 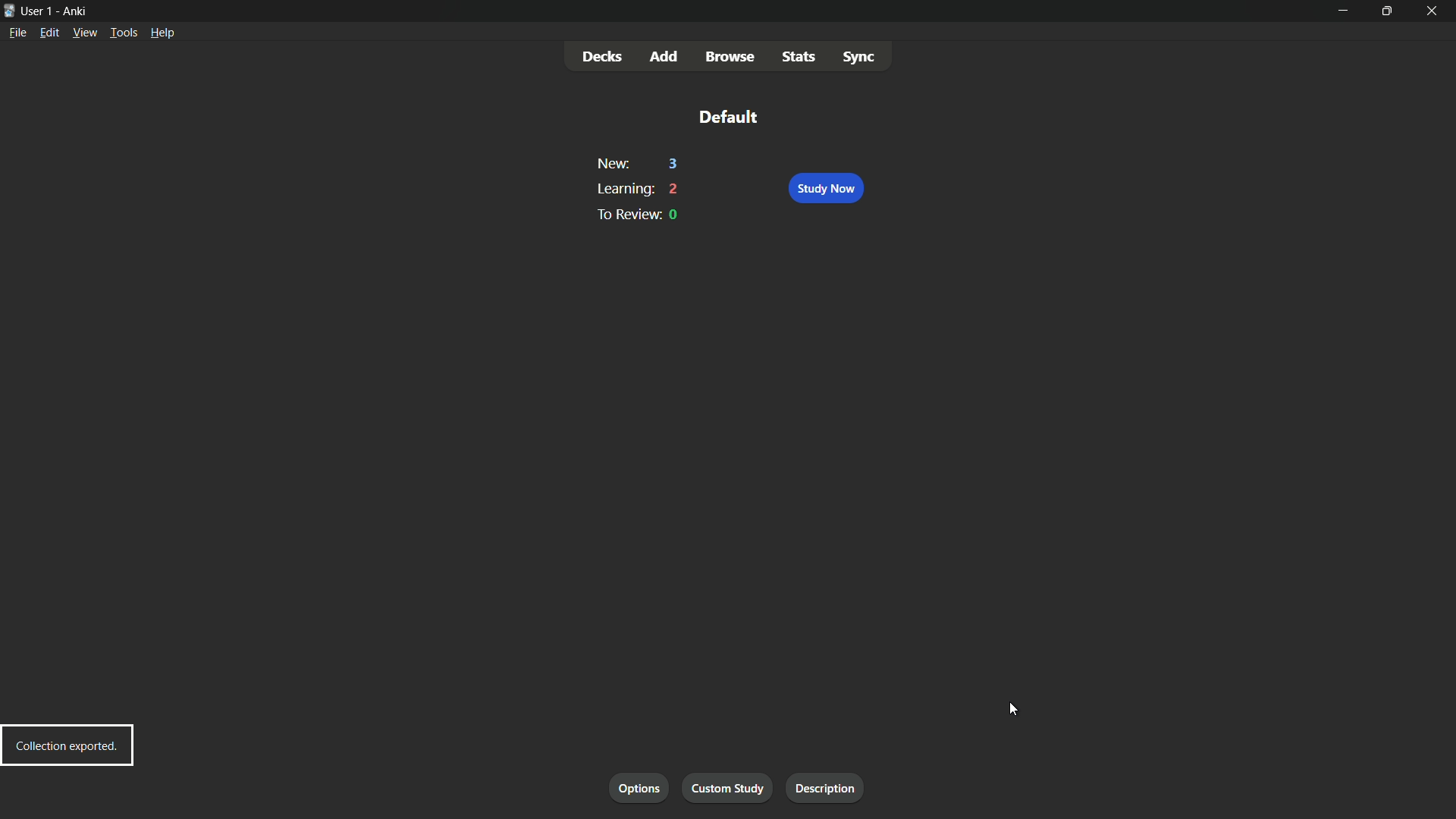 I want to click on decks, so click(x=603, y=57).